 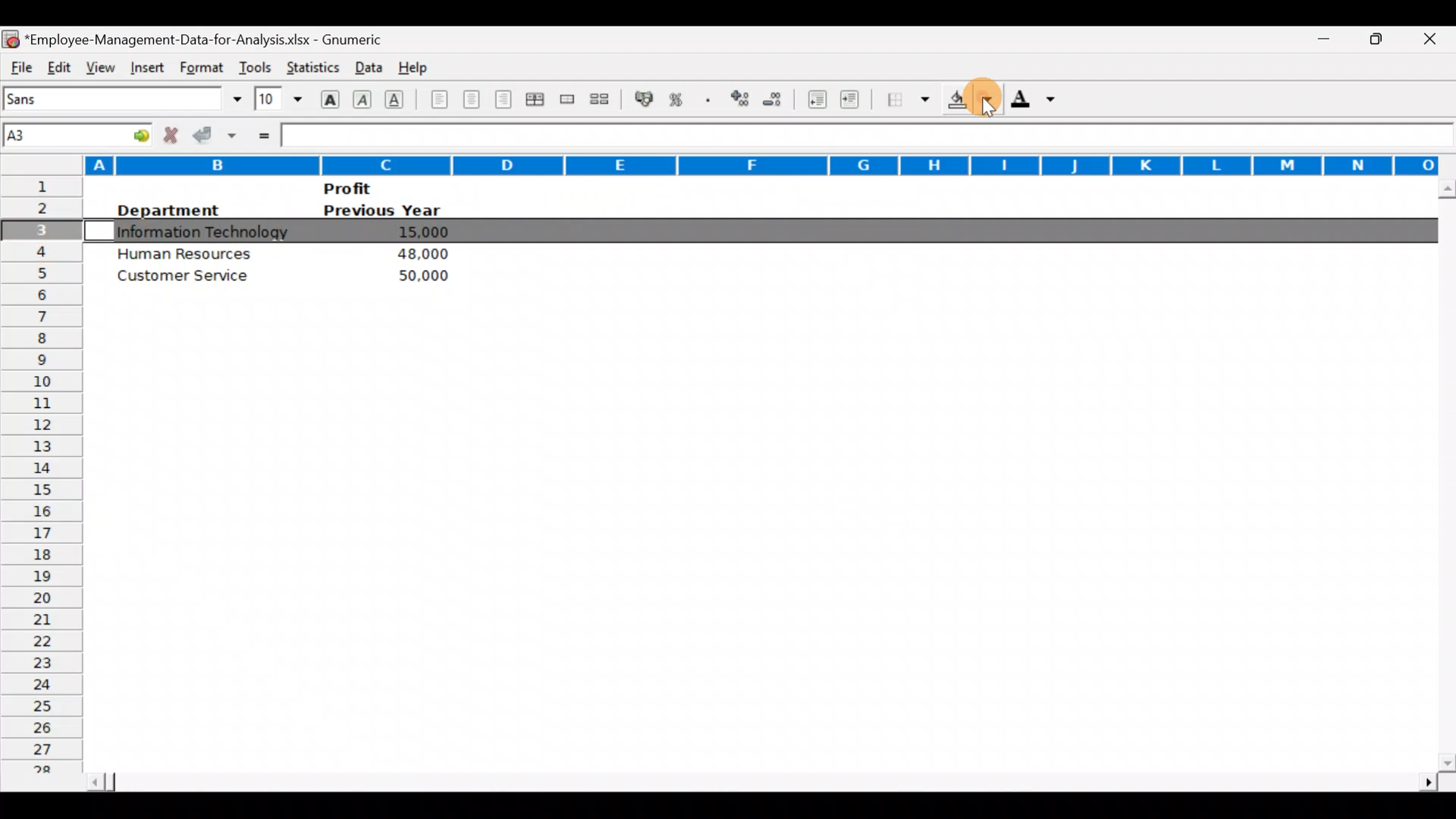 I want to click on 48,000, so click(x=420, y=254).